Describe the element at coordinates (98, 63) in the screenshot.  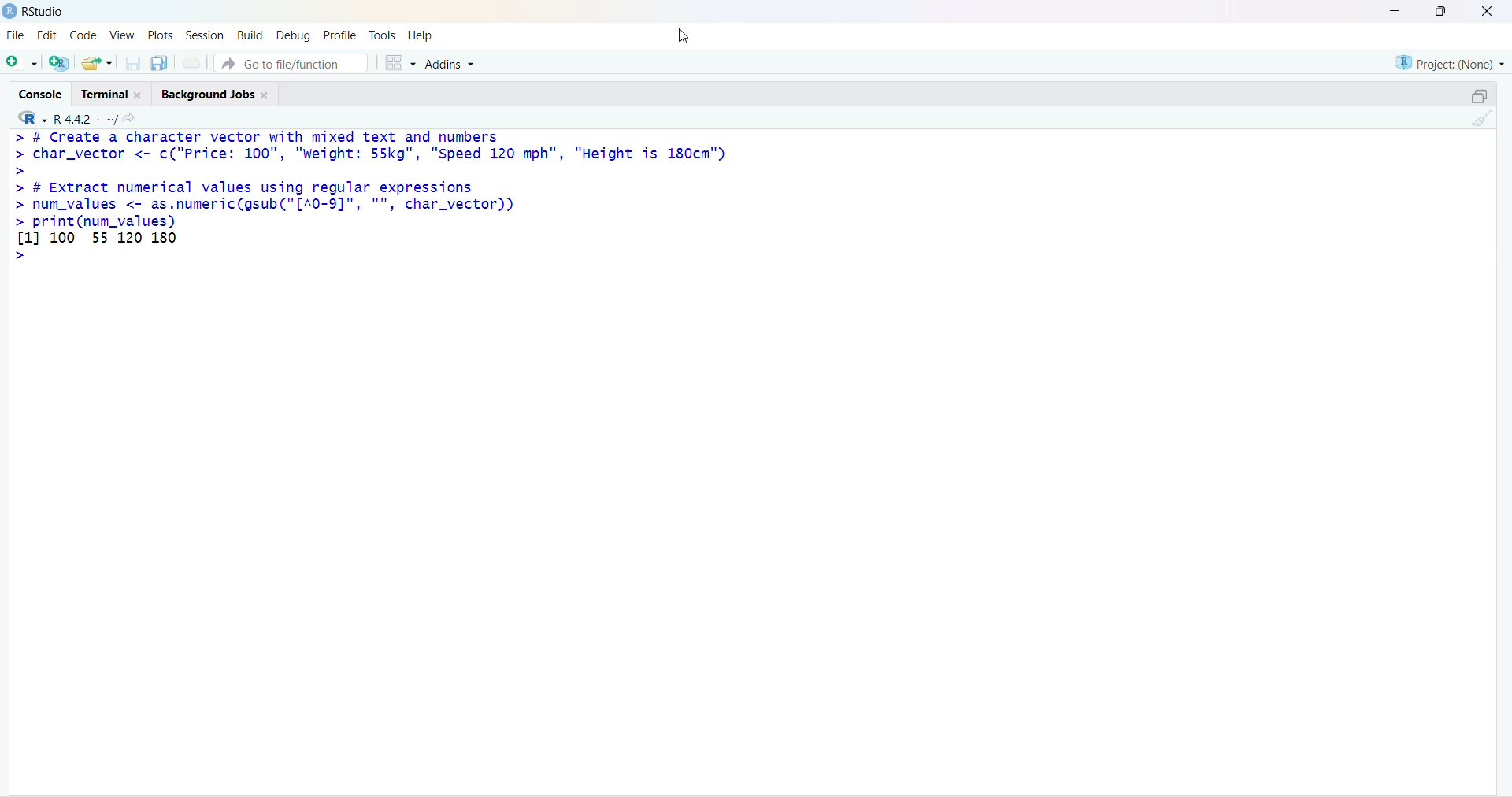
I see `share as` at that location.